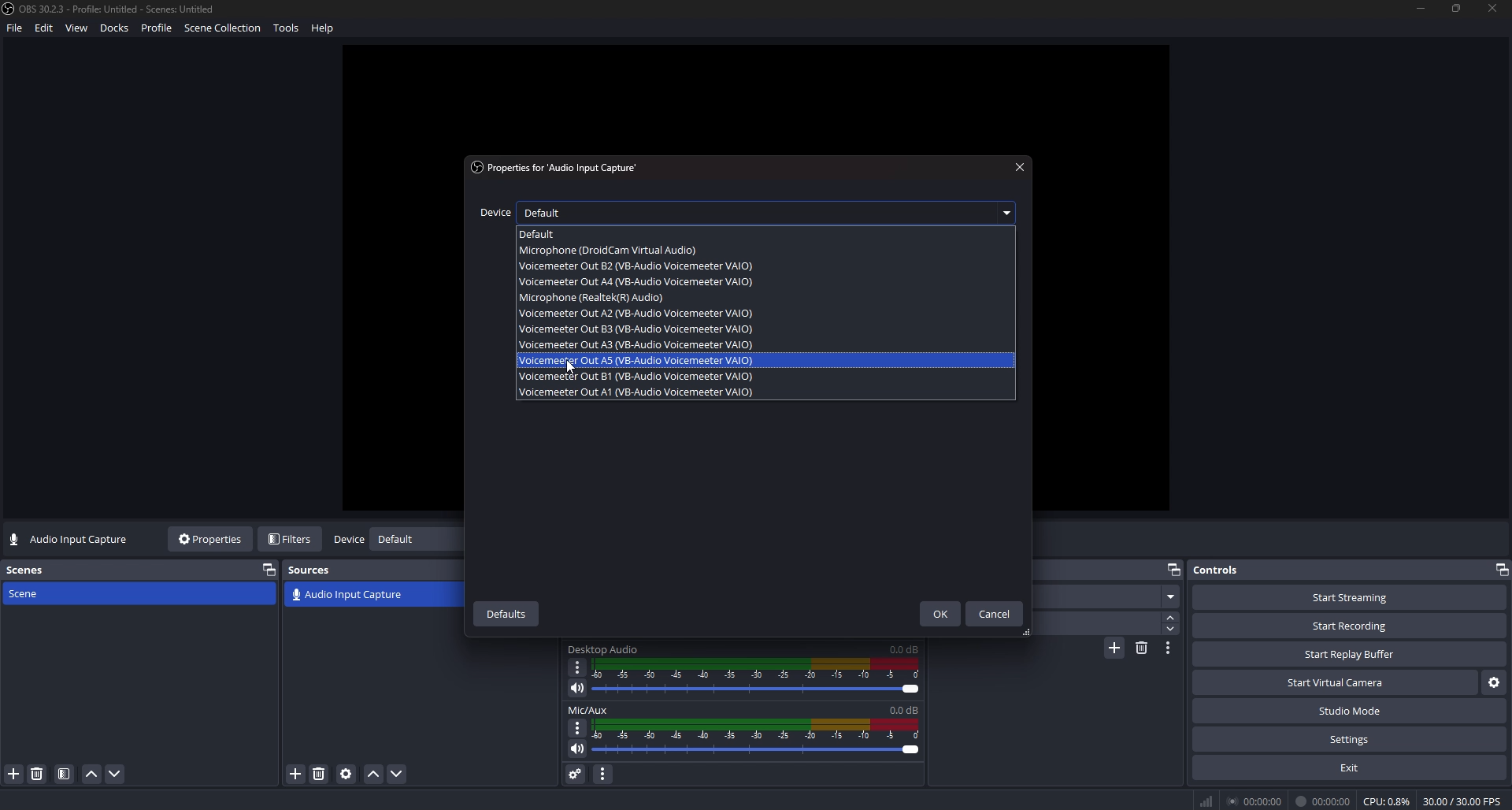 This screenshot has height=810, width=1512. Describe the element at coordinates (577, 667) in the screenshot. I see `options` at that location.